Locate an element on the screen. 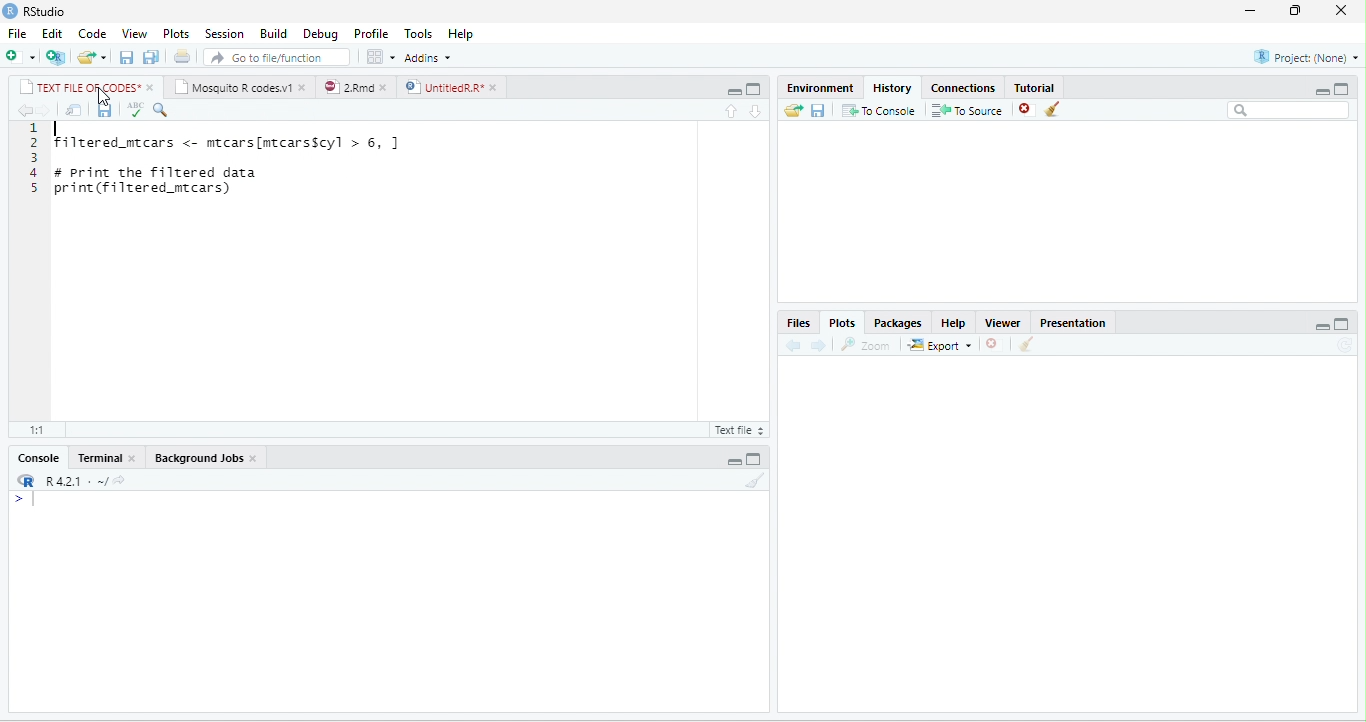  TEXT FILE OF CODES is located at coordinates (80, 86).